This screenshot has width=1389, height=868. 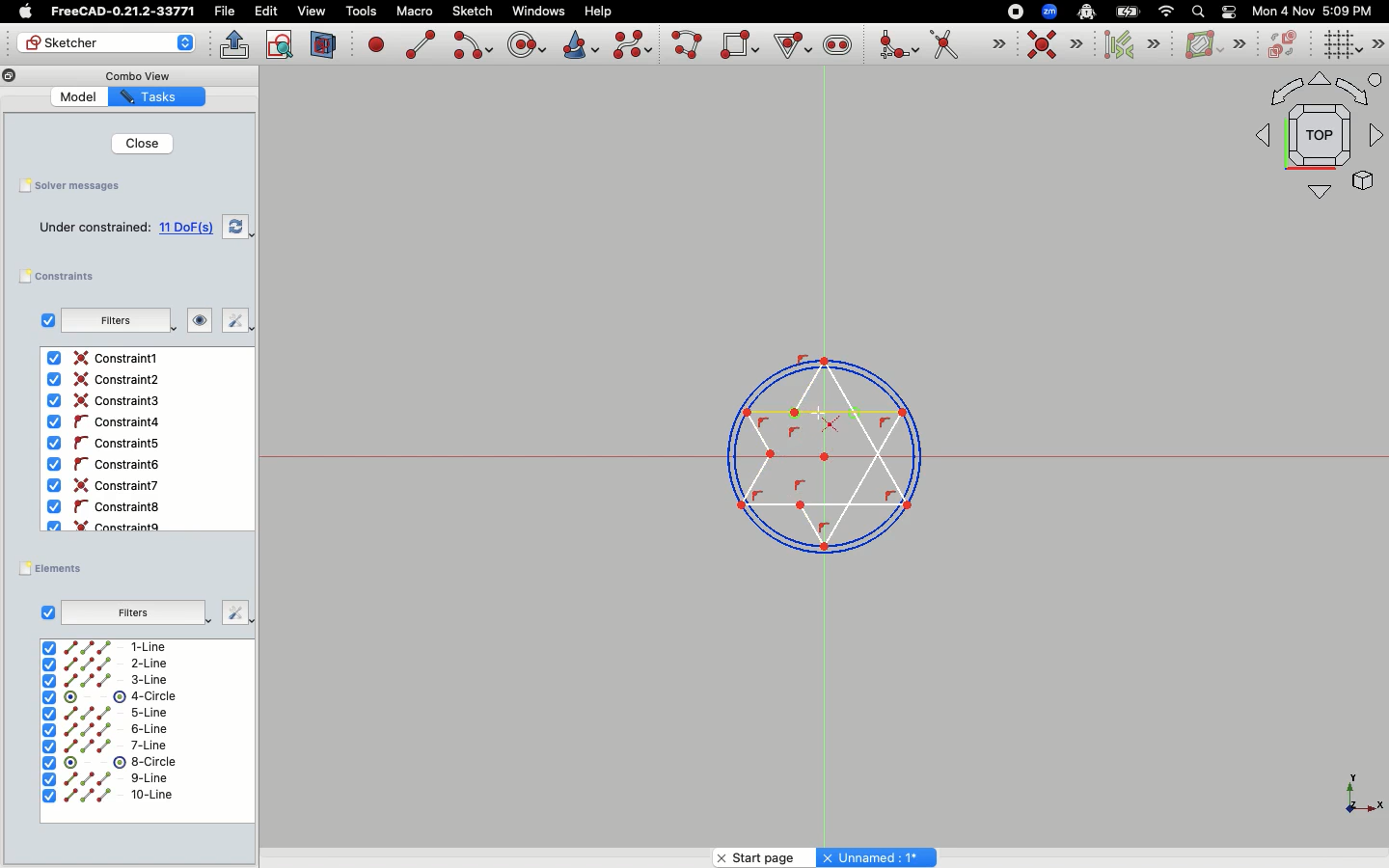 What do you see at coordinates (824, 416) in the screenshot?
I see `Cursor` at bounding box center [824, 416].